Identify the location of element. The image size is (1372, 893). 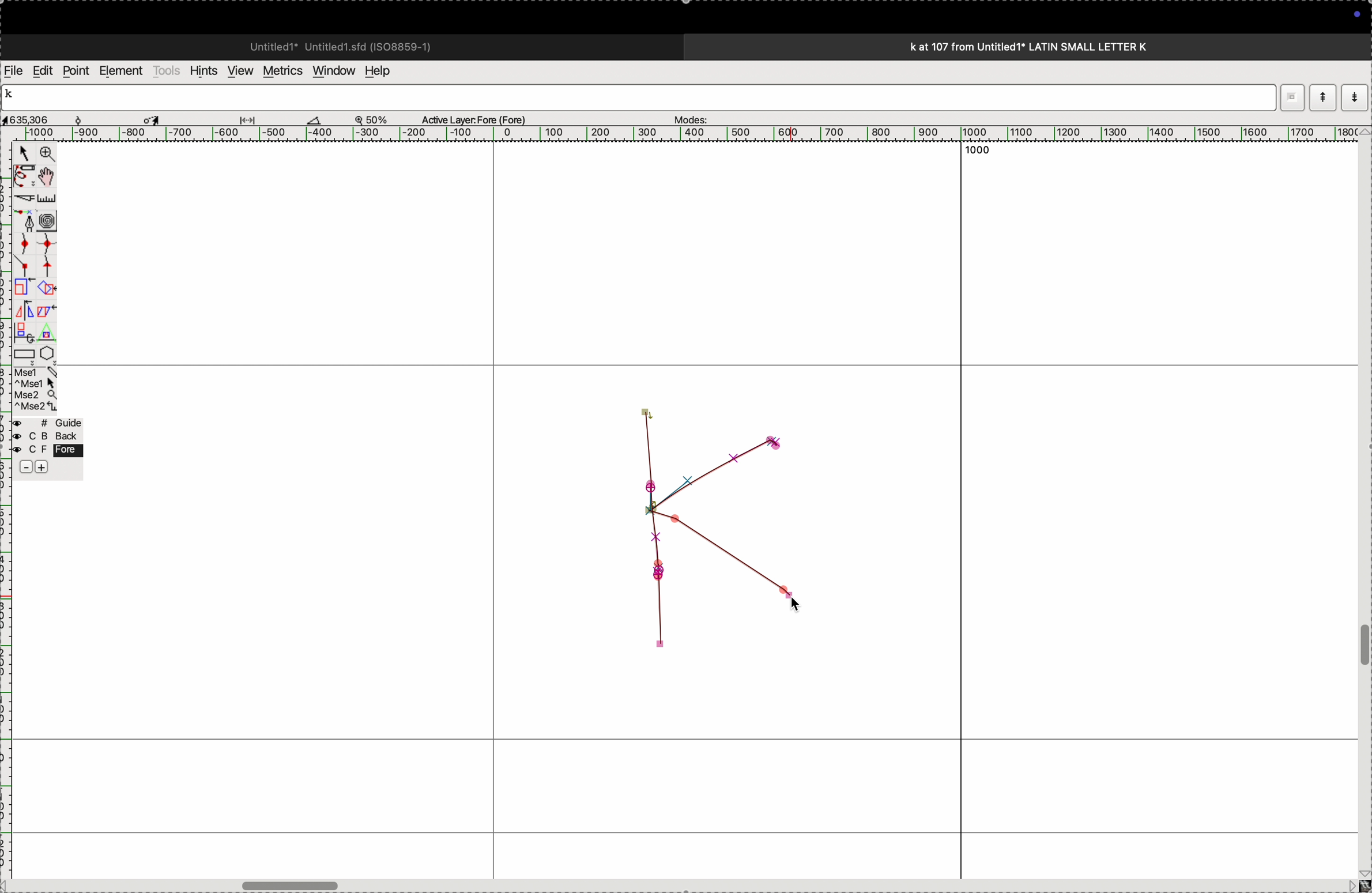
(122, 71).